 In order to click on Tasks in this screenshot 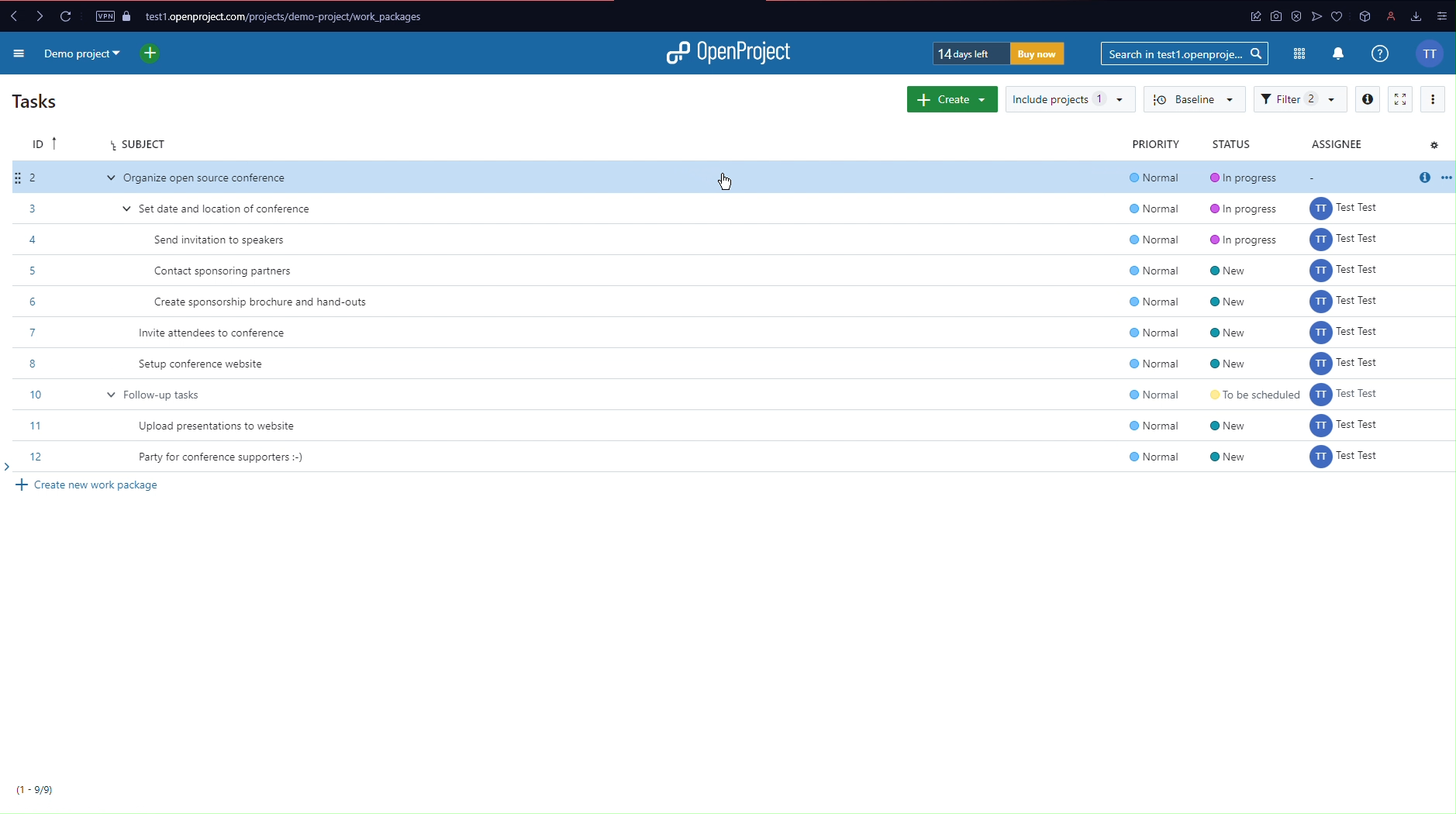, I will do `click(40, 99)`.